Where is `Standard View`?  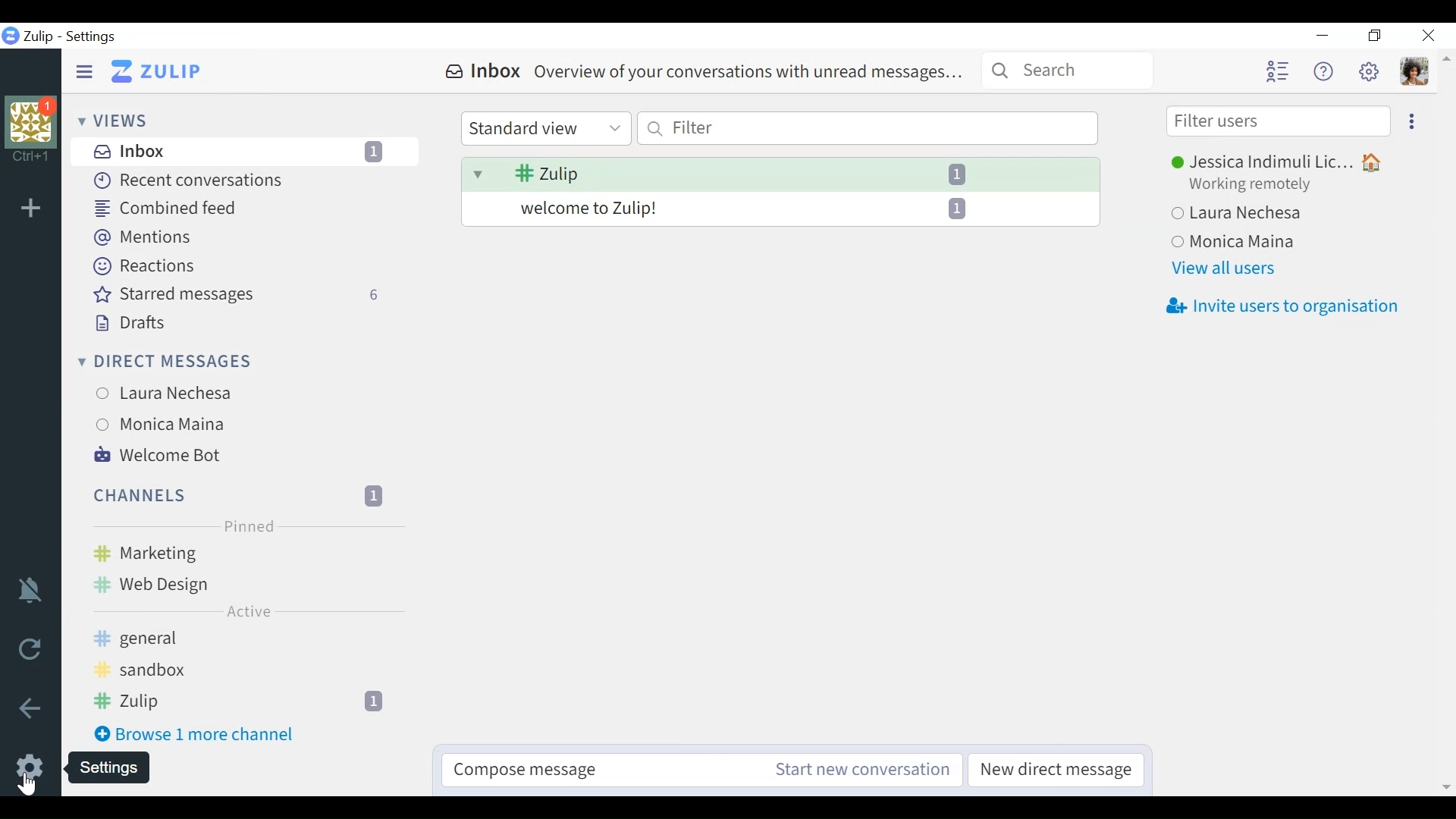
Standard View is located at coordinates (548, 129).